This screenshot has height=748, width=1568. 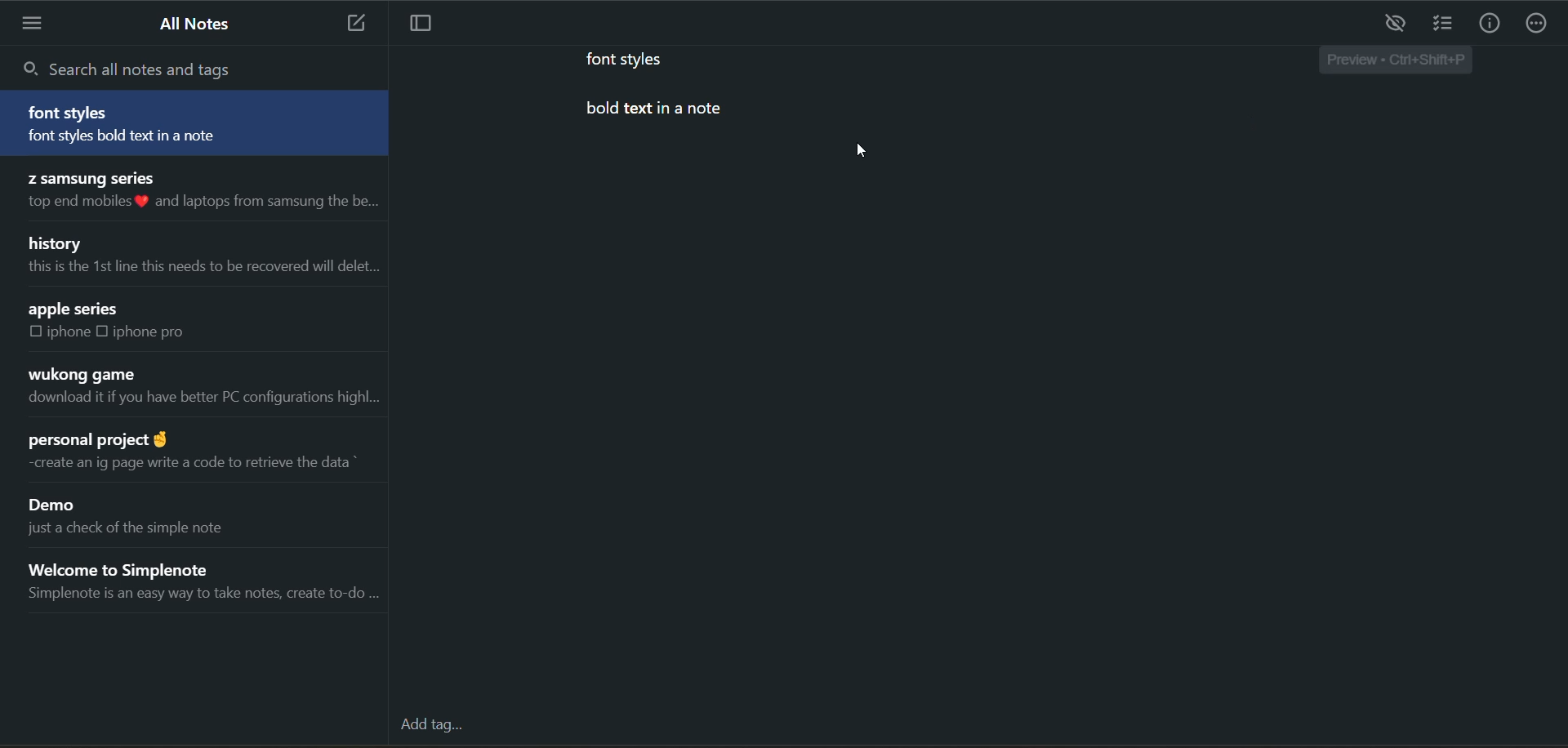 I want to click on Simplenote is an easy way to take notes, create to-do ..., so click(x=202, y=597).